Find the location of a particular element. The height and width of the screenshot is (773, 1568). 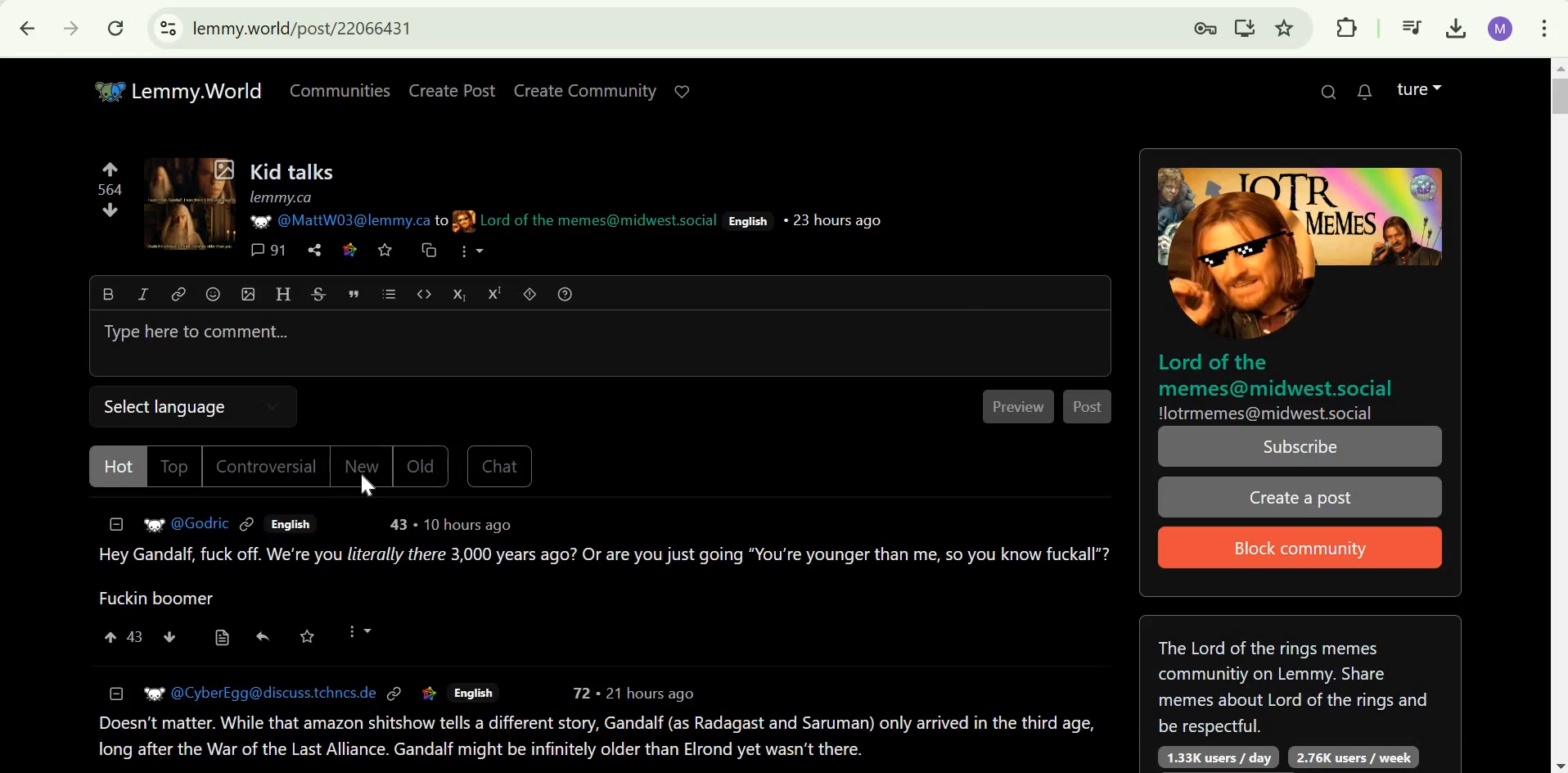

Media controls is located at coordinates (1413, 26).